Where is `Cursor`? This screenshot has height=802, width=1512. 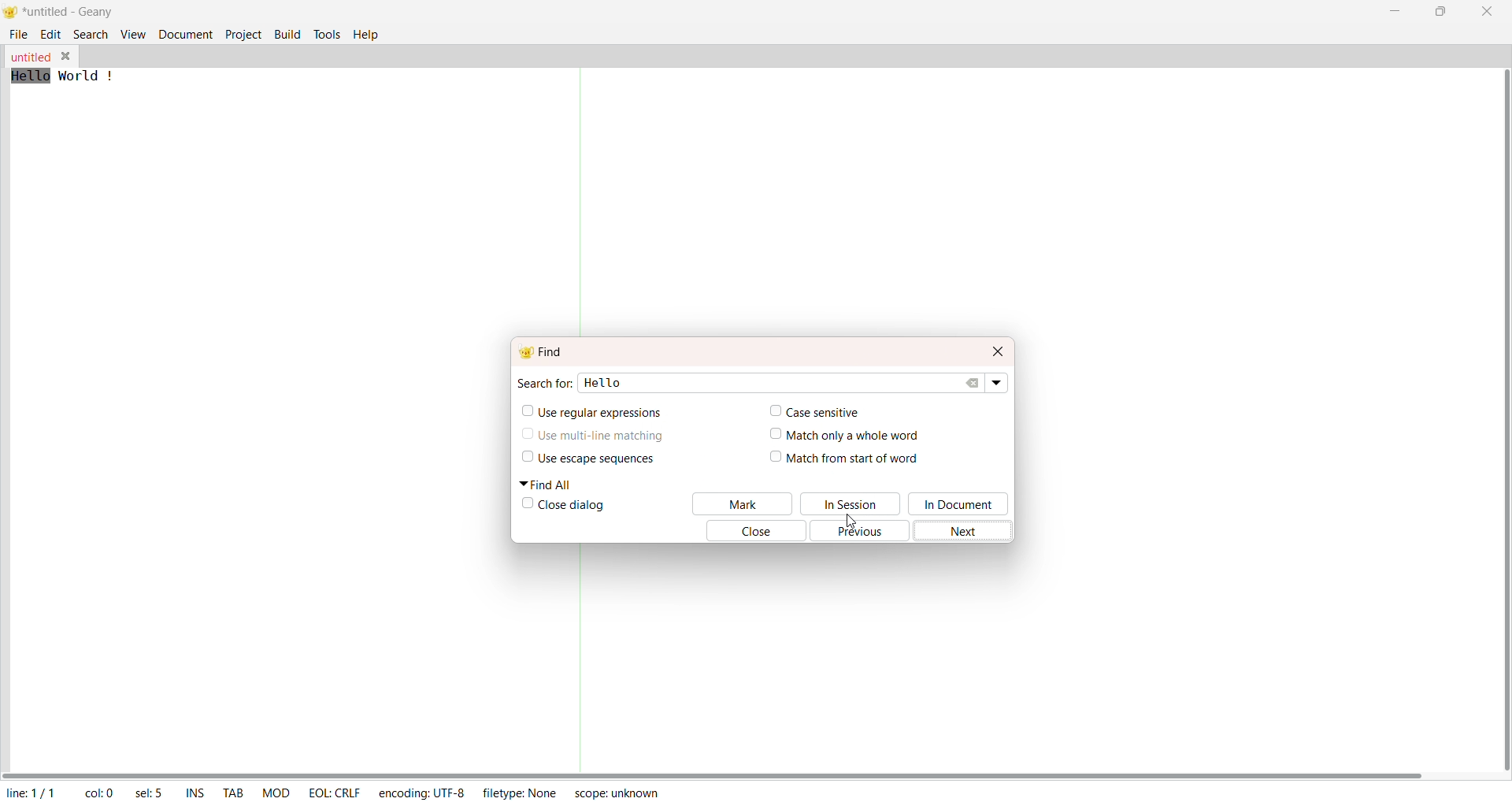 Cursor is located at coordinates (862, 524).